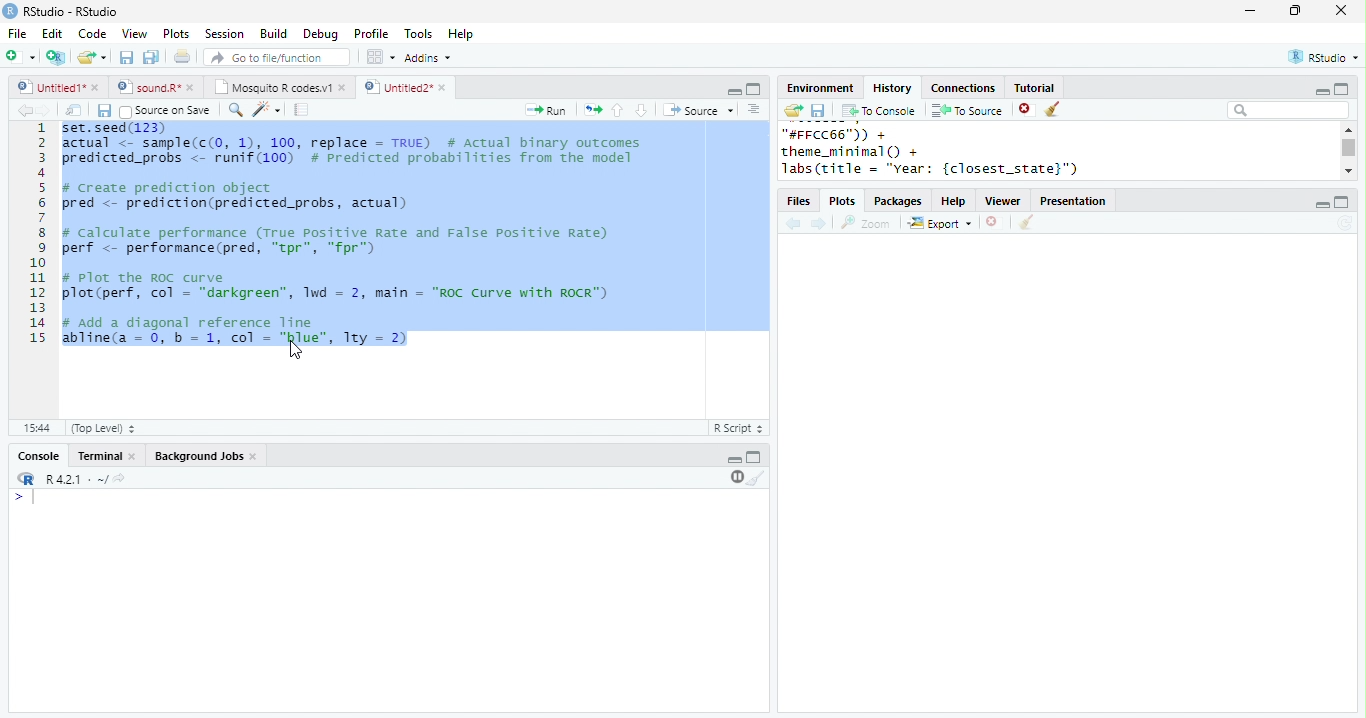 The width and height of the screenshot is (1366, 718). I want to click on refresh, so click(1345, 223).